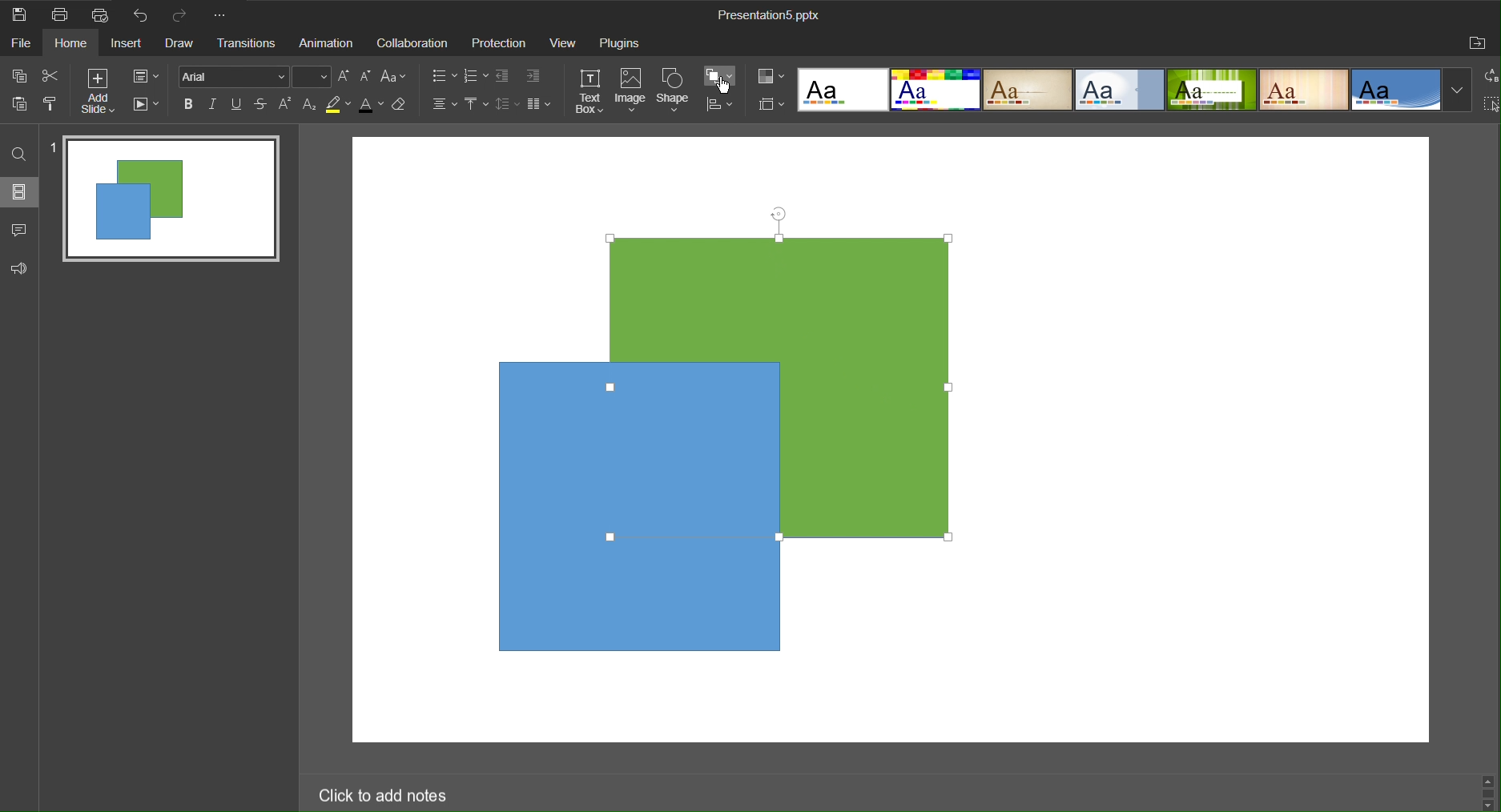 This screenshot has height=812, width=1501. Describe the element at coordinates (675, 89) in the screenshot. I see `Shape` at that location.